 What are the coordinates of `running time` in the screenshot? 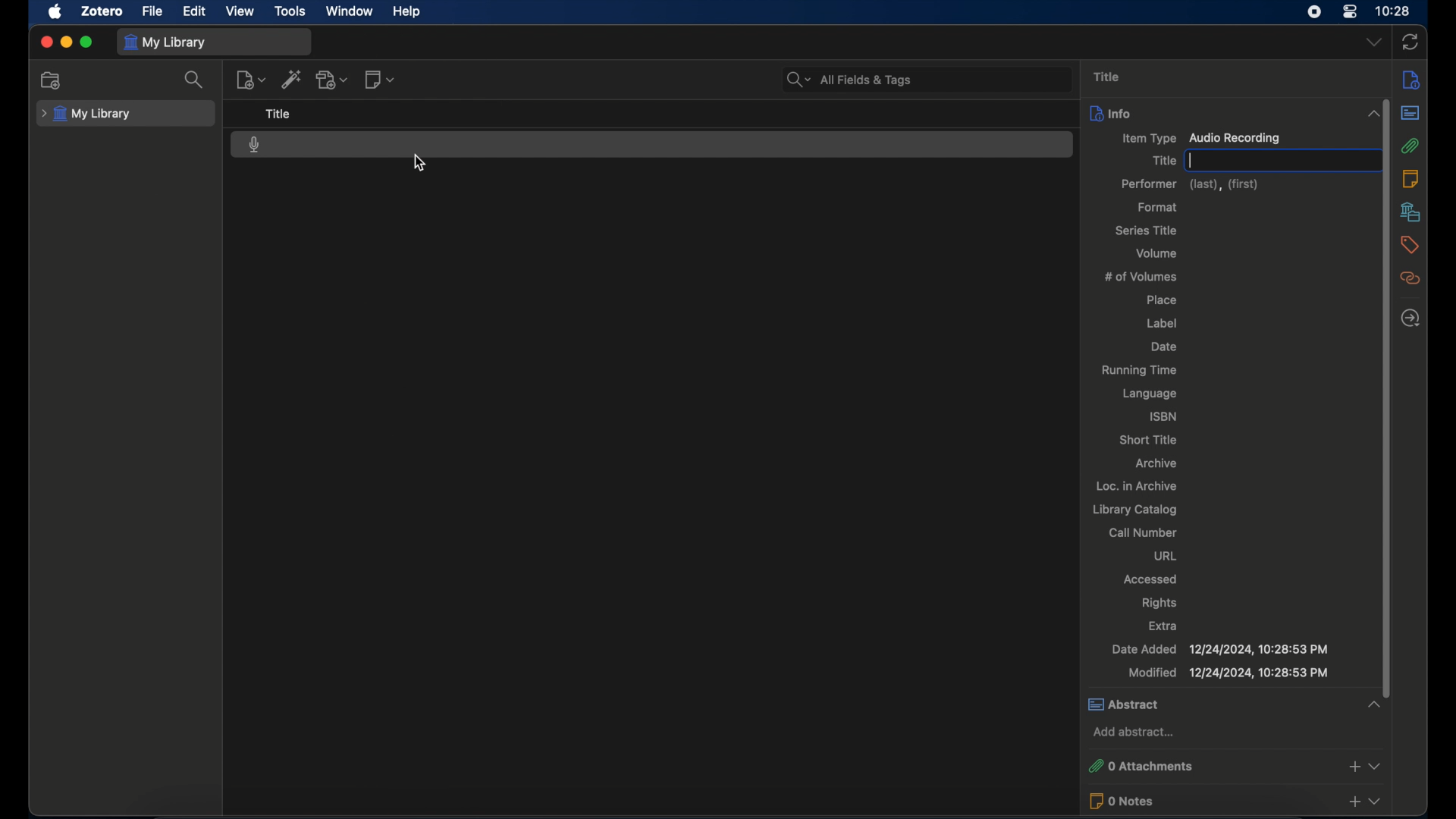 It's located at (1138, 371).